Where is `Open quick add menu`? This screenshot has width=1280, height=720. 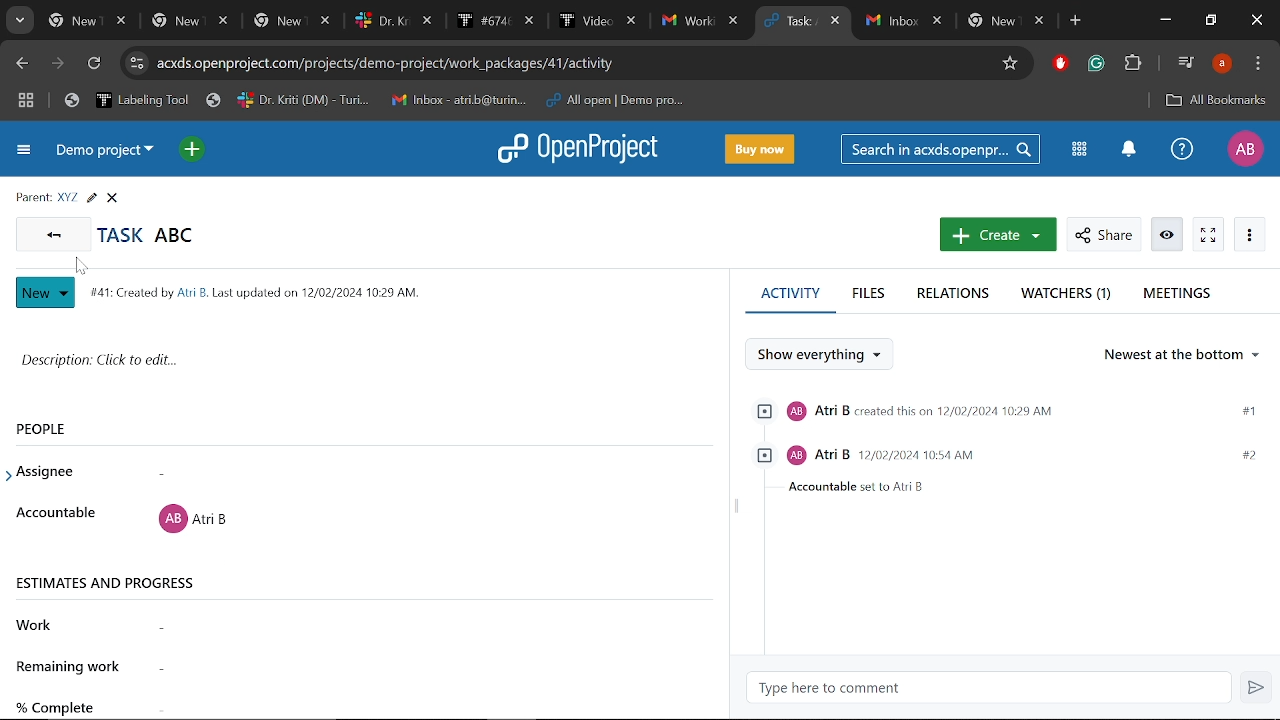 Open quick add menu is located at coordinates (190, 149).